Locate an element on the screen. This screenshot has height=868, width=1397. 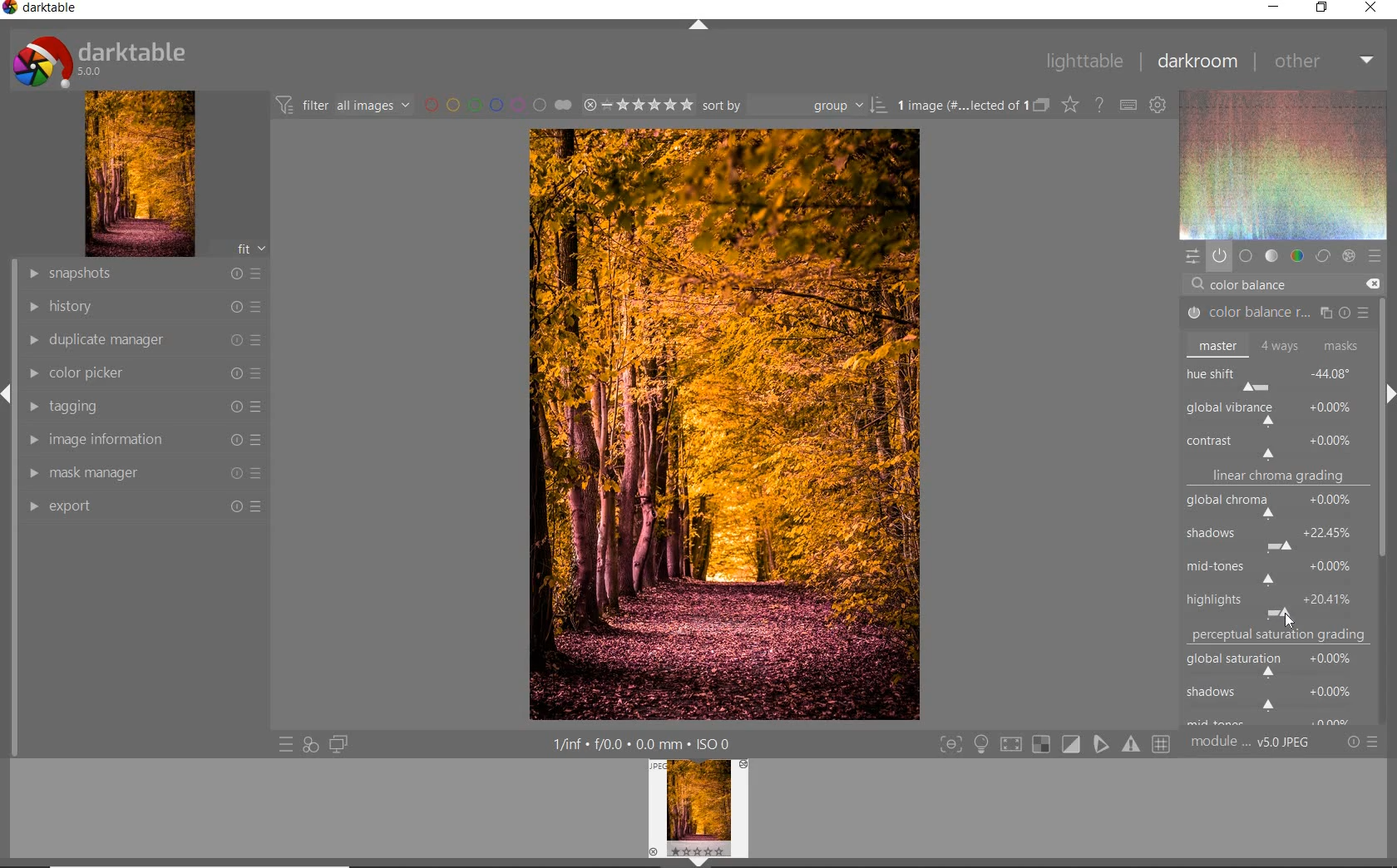
DELETE is located at coordinates (1372, 284).